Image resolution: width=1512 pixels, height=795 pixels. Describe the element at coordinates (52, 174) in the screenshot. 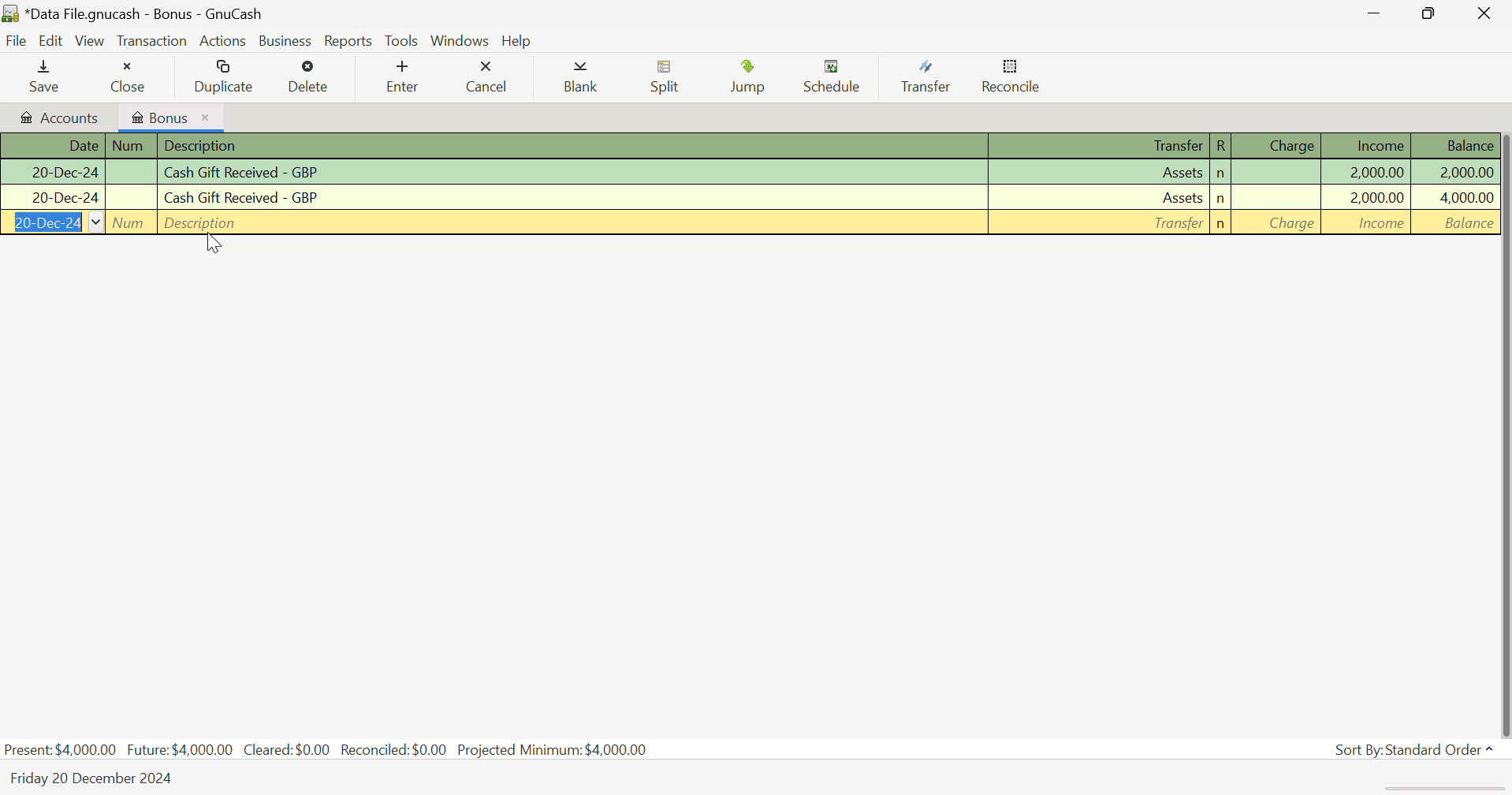

I see `Date` at that location.